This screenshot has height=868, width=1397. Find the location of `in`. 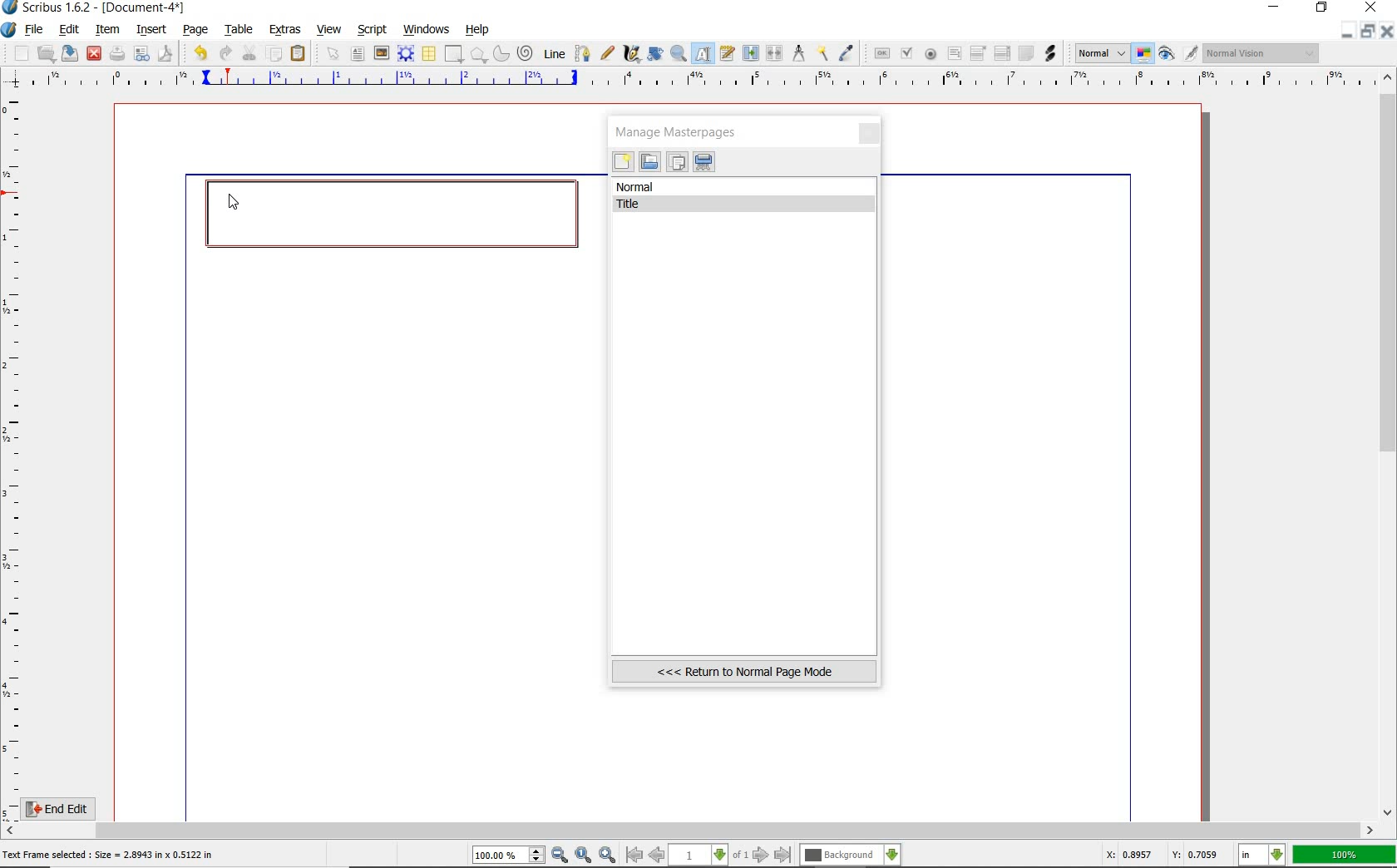

in is located at coordinates (1262, 856).